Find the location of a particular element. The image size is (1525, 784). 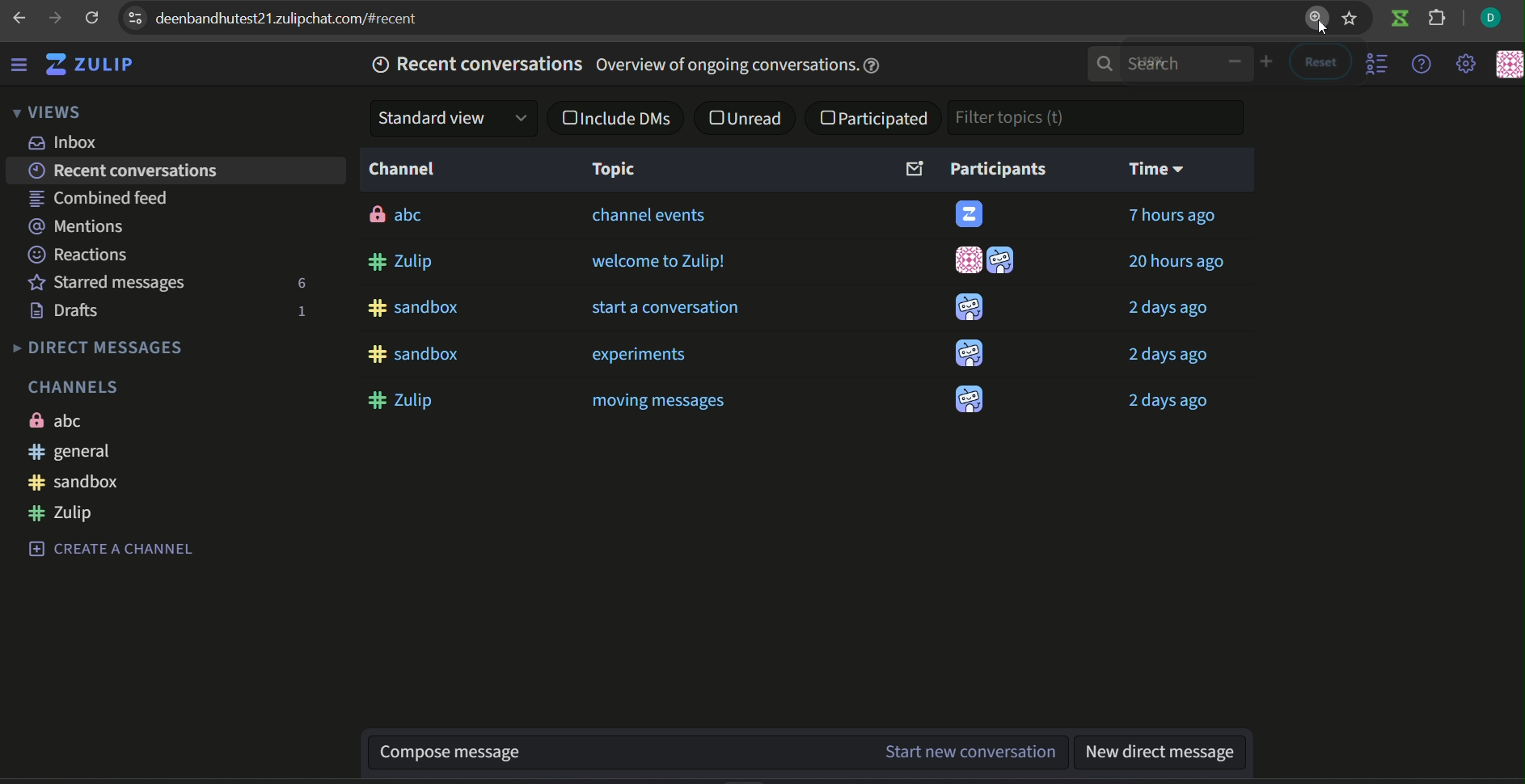

icon is located at coordinates (965, 260).